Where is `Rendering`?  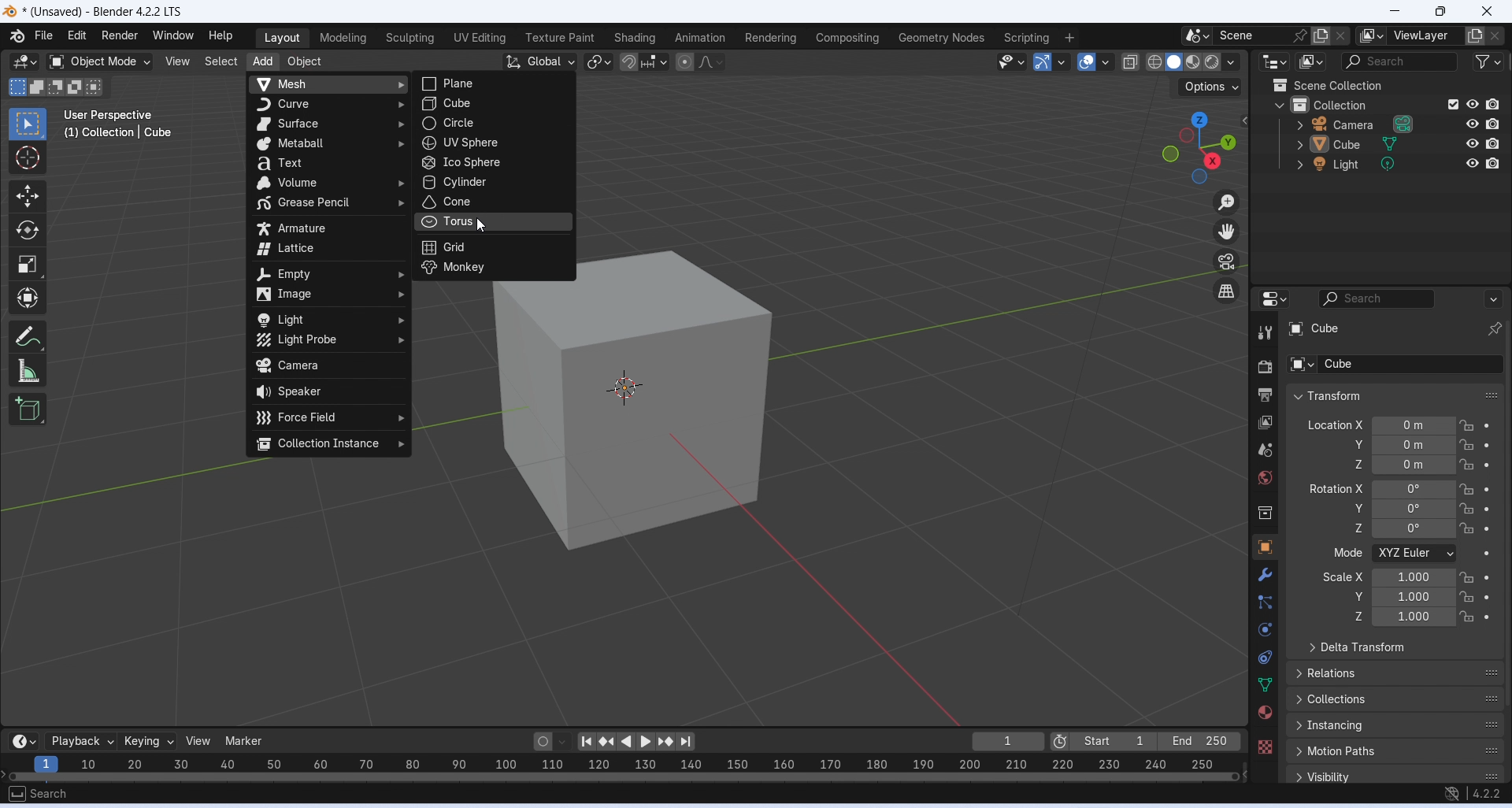
Rendering is located at coordinates (770, 38).